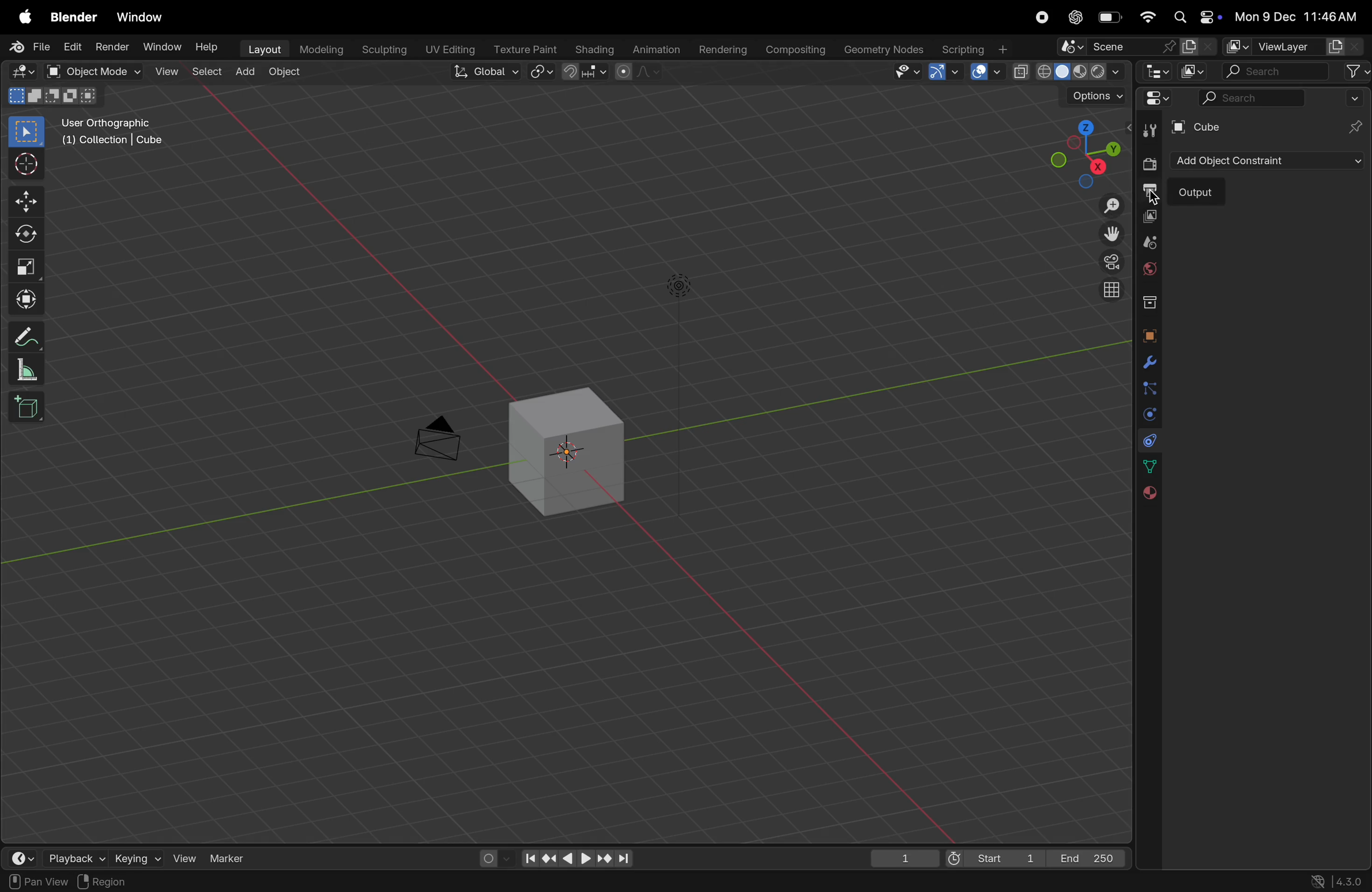 Image resolution: width=1372 pixels, height=892 pixels. What do you see at coordinates (636, 73) in the screenshot?
I see `proportional editing objects` at bounding box center [636, 73].